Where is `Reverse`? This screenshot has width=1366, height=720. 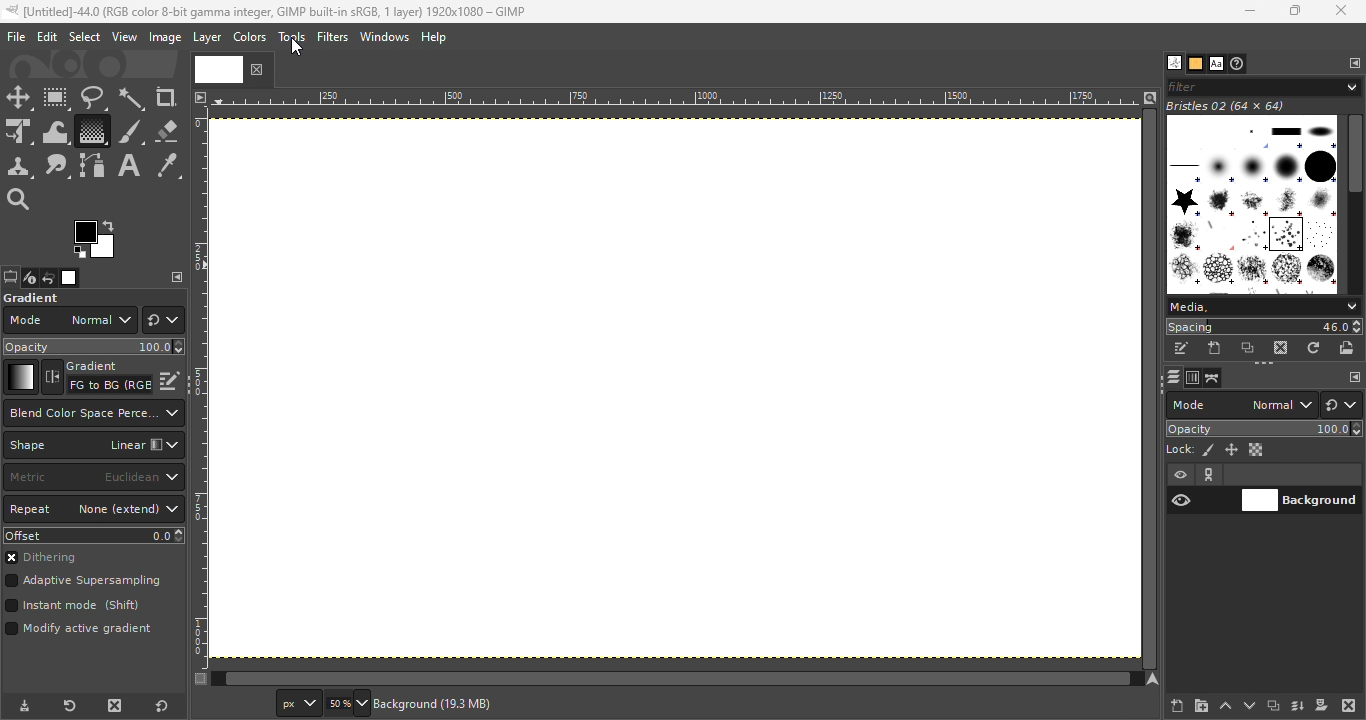
Reverse is located at coordinates (97, 377).